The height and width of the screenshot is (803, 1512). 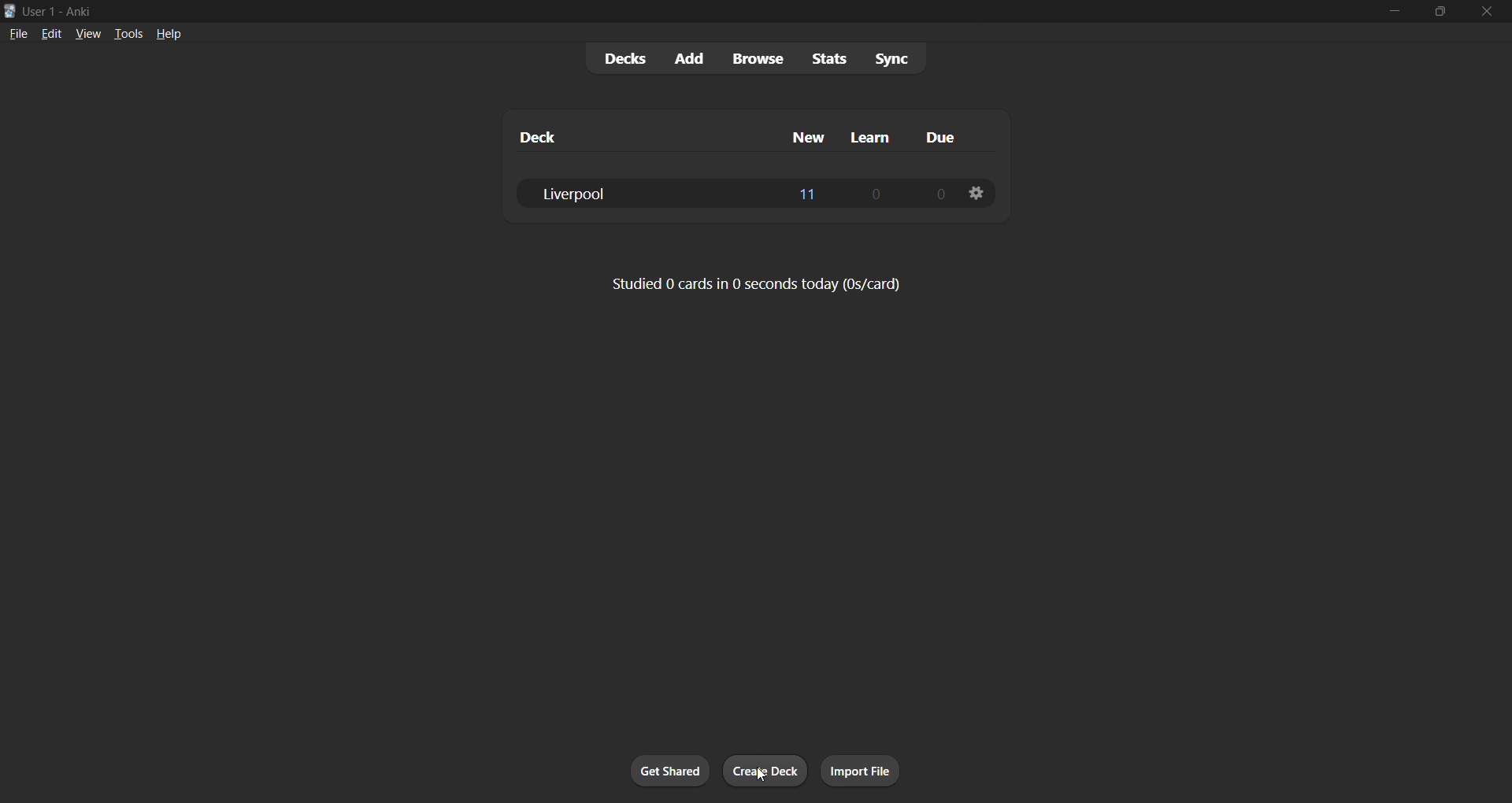 What do you see at coordinates (172, 34) in the screenshot?
I see `help` at bounding box center [172, 34].